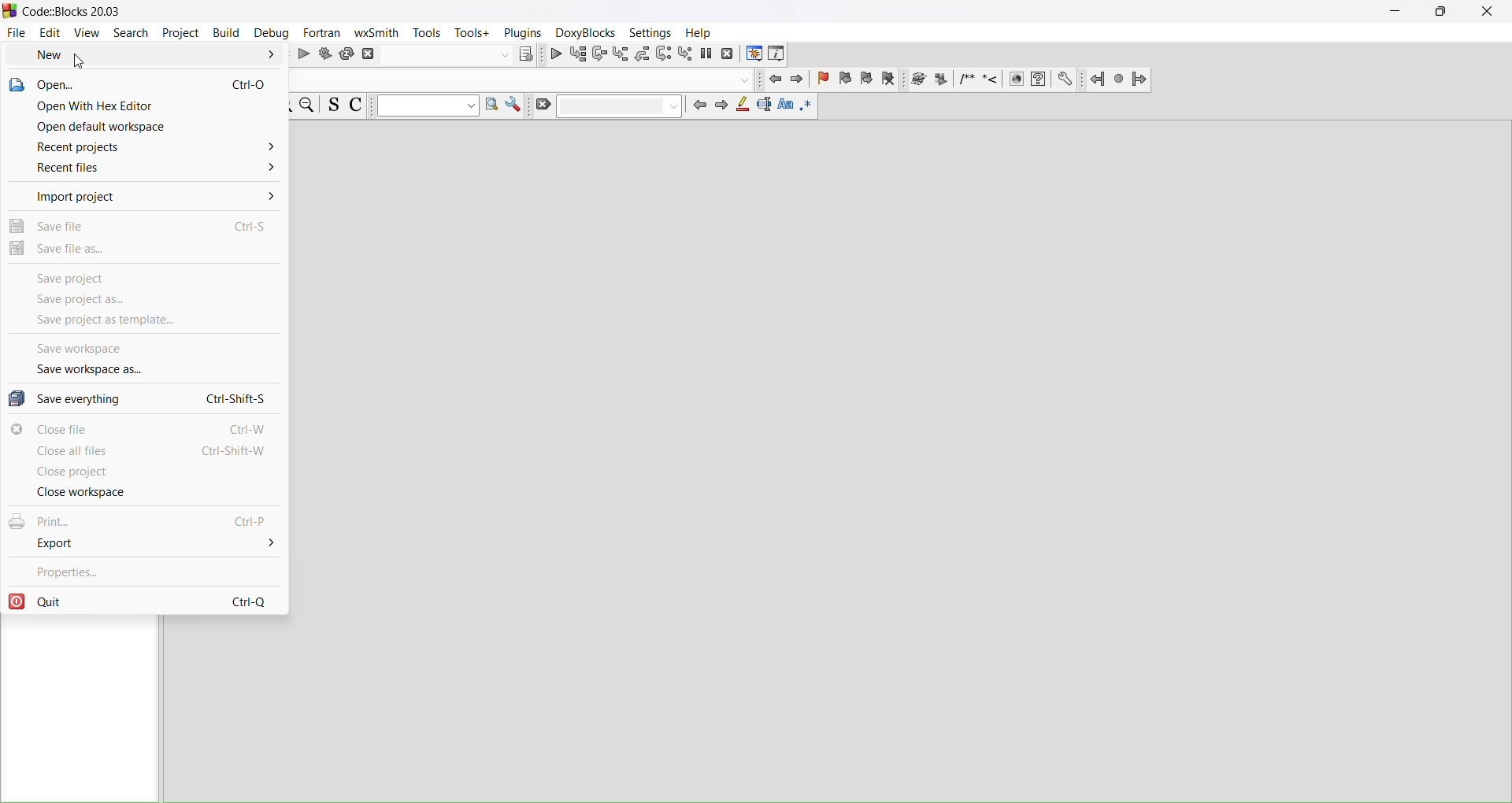 This screenshot has width=1512, height=803. I want to click on code completion, so click(525, 80).